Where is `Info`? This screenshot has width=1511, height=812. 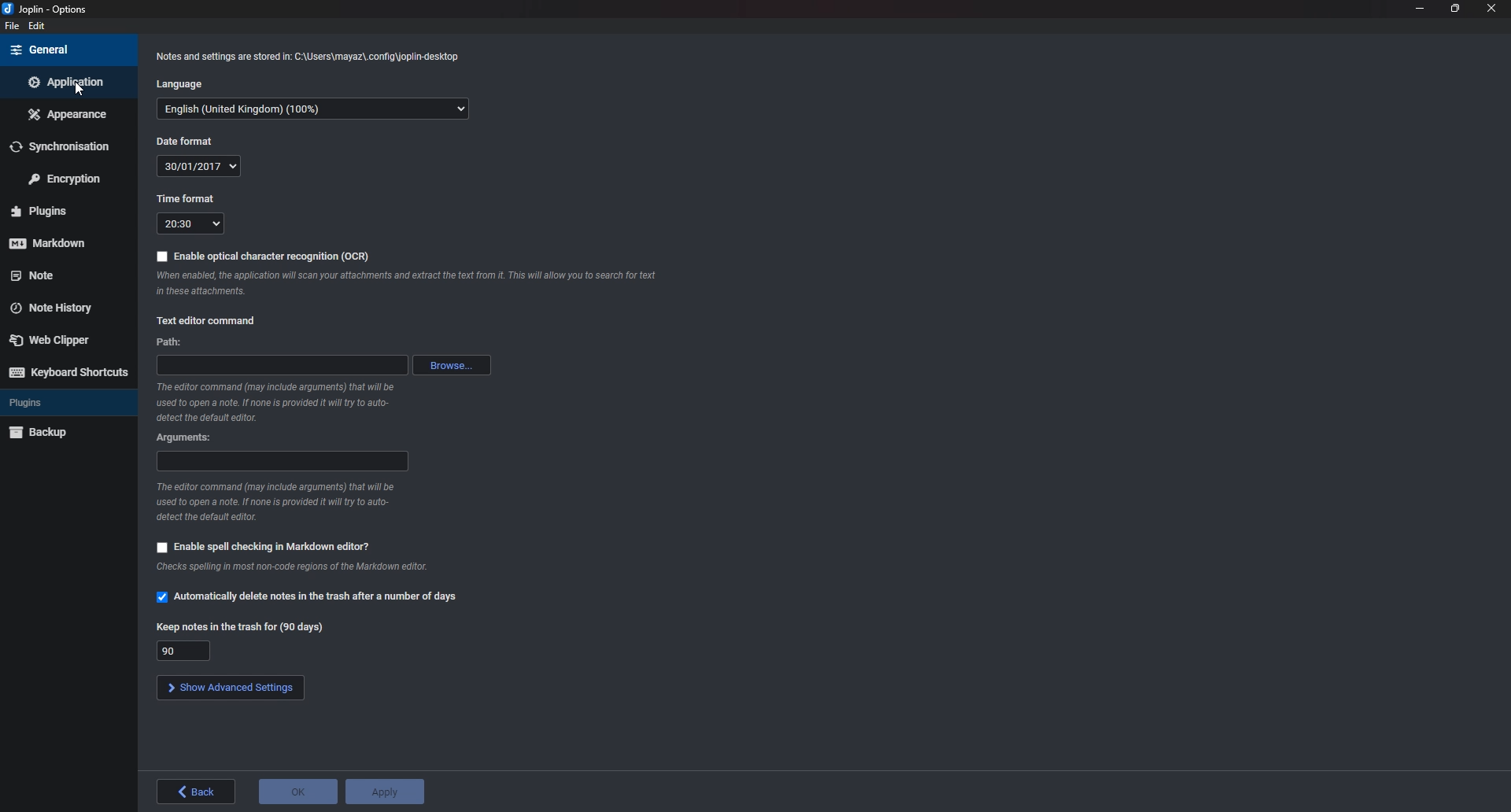 Info is located at coordinates (307, 60).